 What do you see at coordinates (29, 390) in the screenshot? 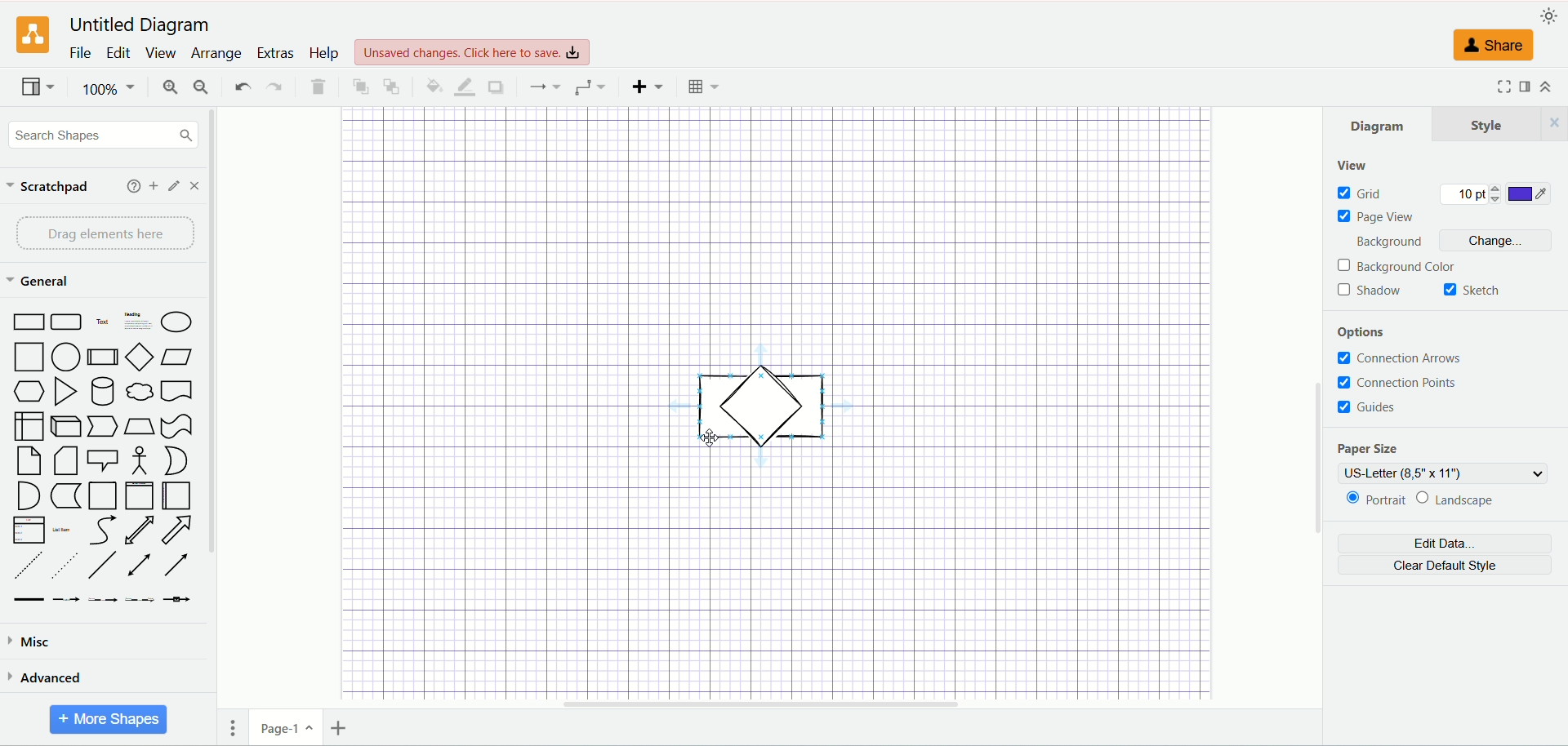
I see `Hexagon` at bounding box center [29, 390].